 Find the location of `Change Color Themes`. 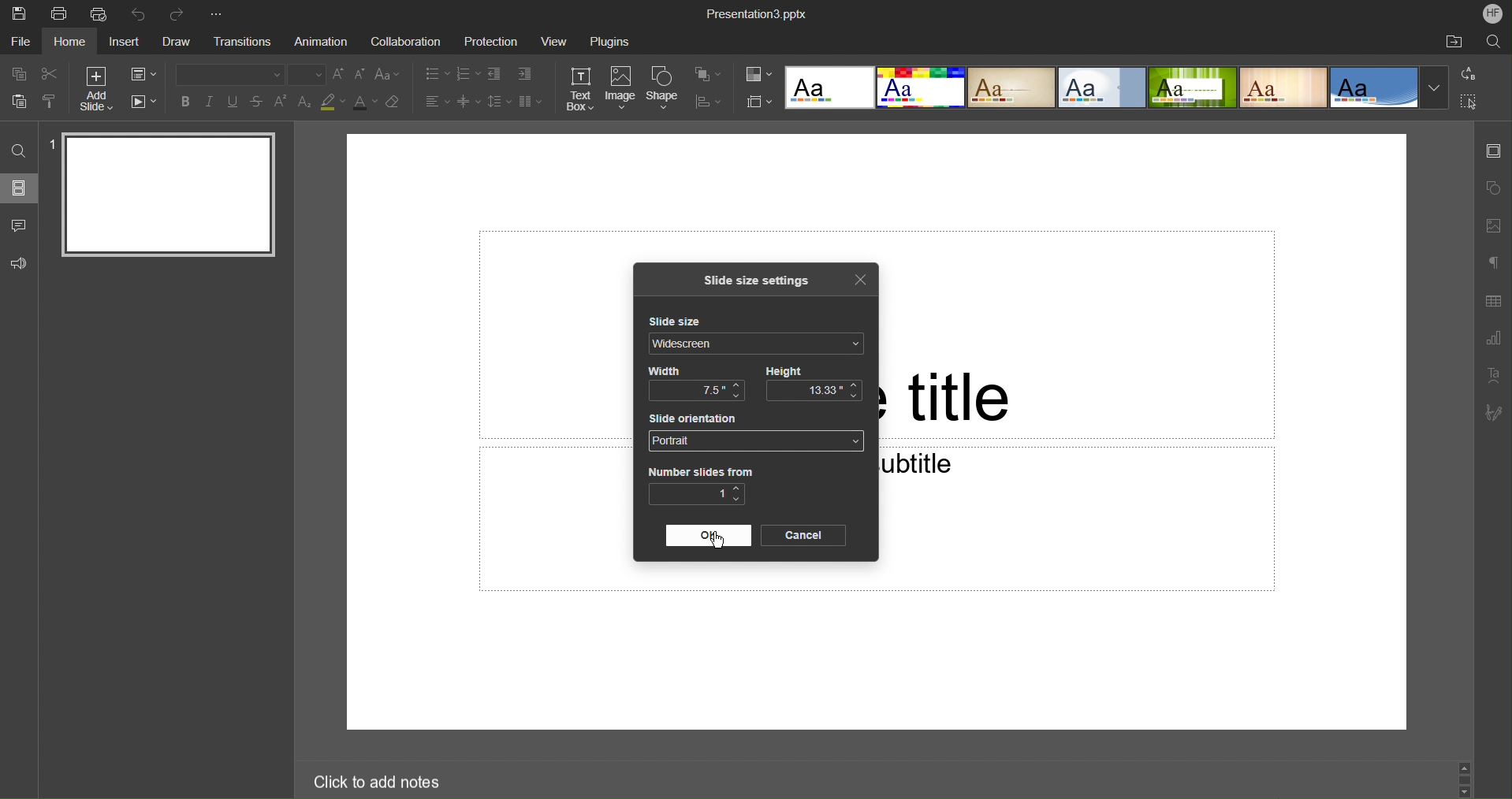

Change Color Themes is located at coordinates (758, 75).